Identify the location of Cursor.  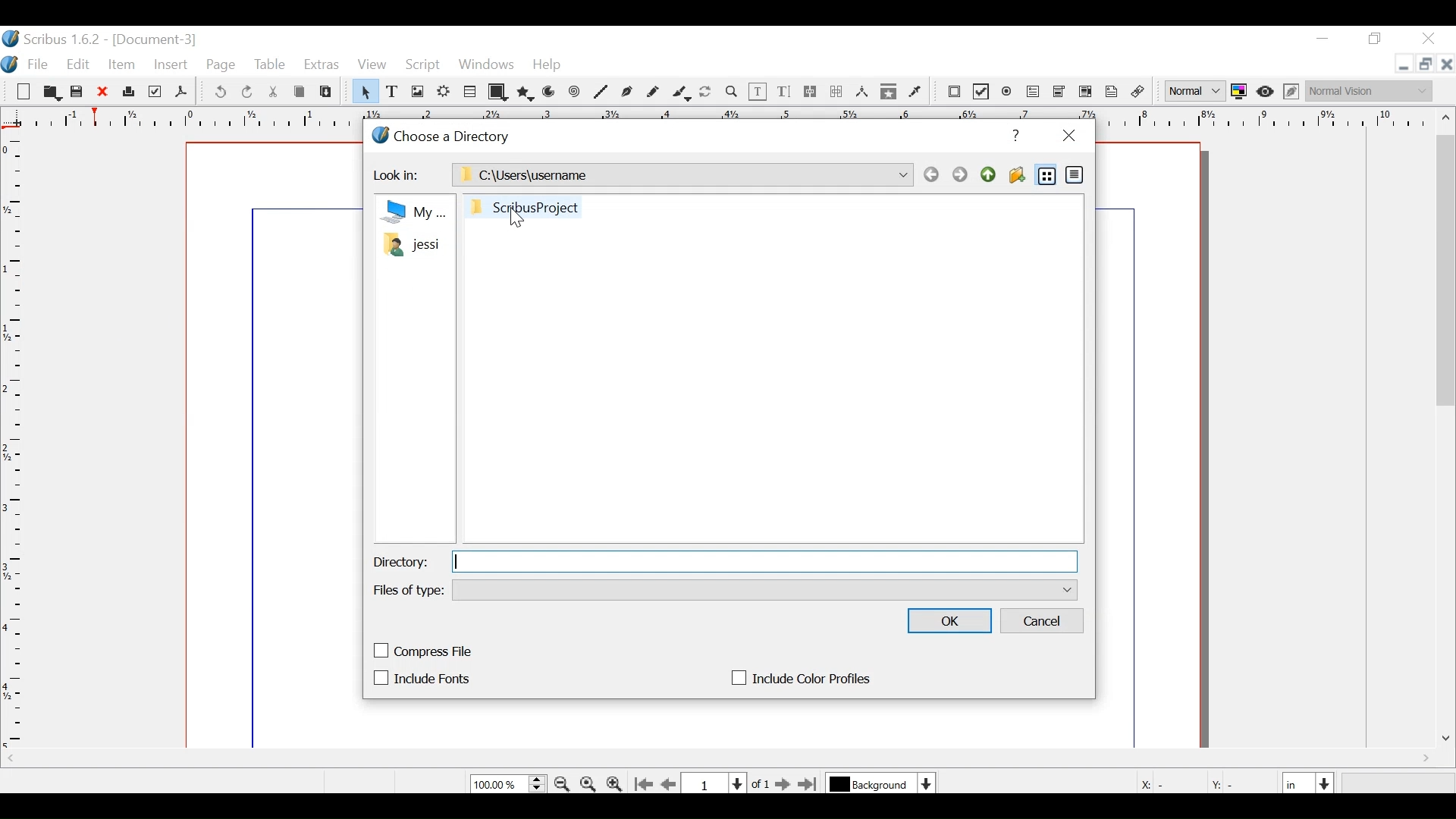
(516, 217).